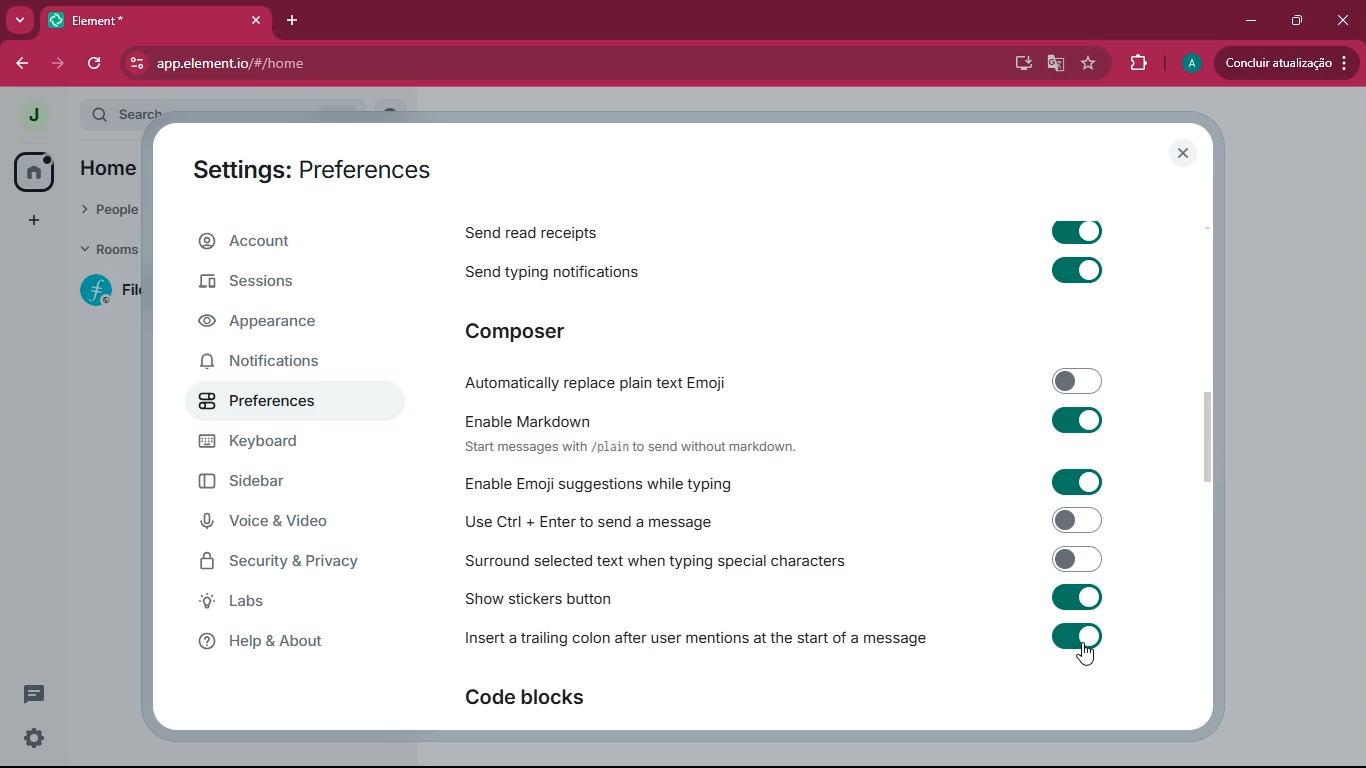 The image size is (1366, 768). What do you see at coordinates (1090, 656) in the screenshot?
I see `cursor` at bounding box center [1090, 656].